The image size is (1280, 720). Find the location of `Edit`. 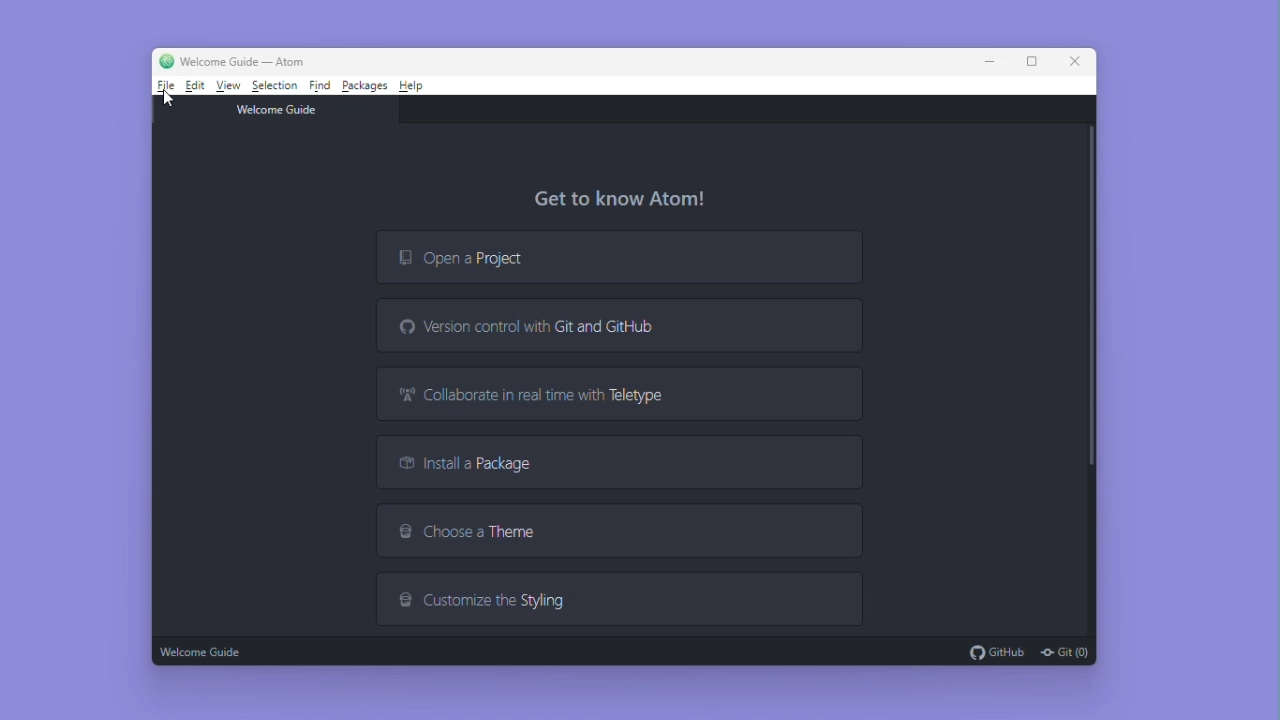

Edit is located at coordinates (196, 86).